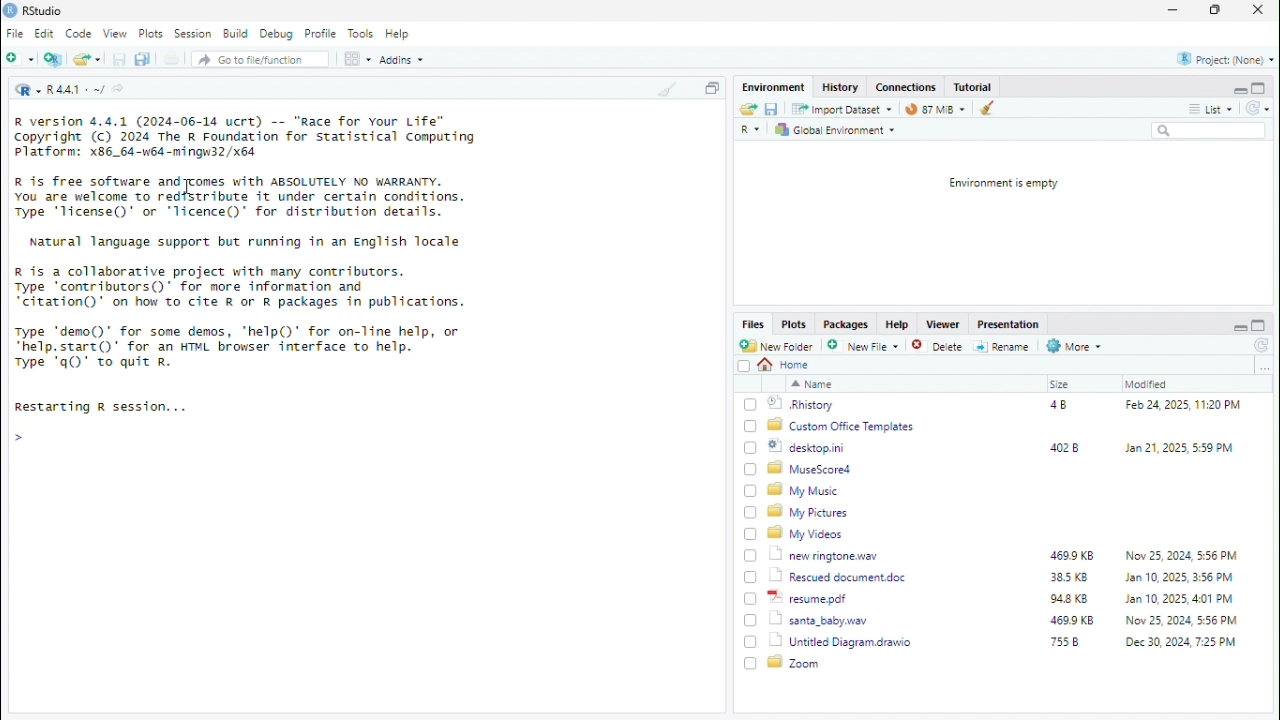 Image resolution: width=1280 pixels, height=720 pixels. What do you see at coordinates (87, 57) in the screenshot?
I see `open file` at bounding box center [87, 57].